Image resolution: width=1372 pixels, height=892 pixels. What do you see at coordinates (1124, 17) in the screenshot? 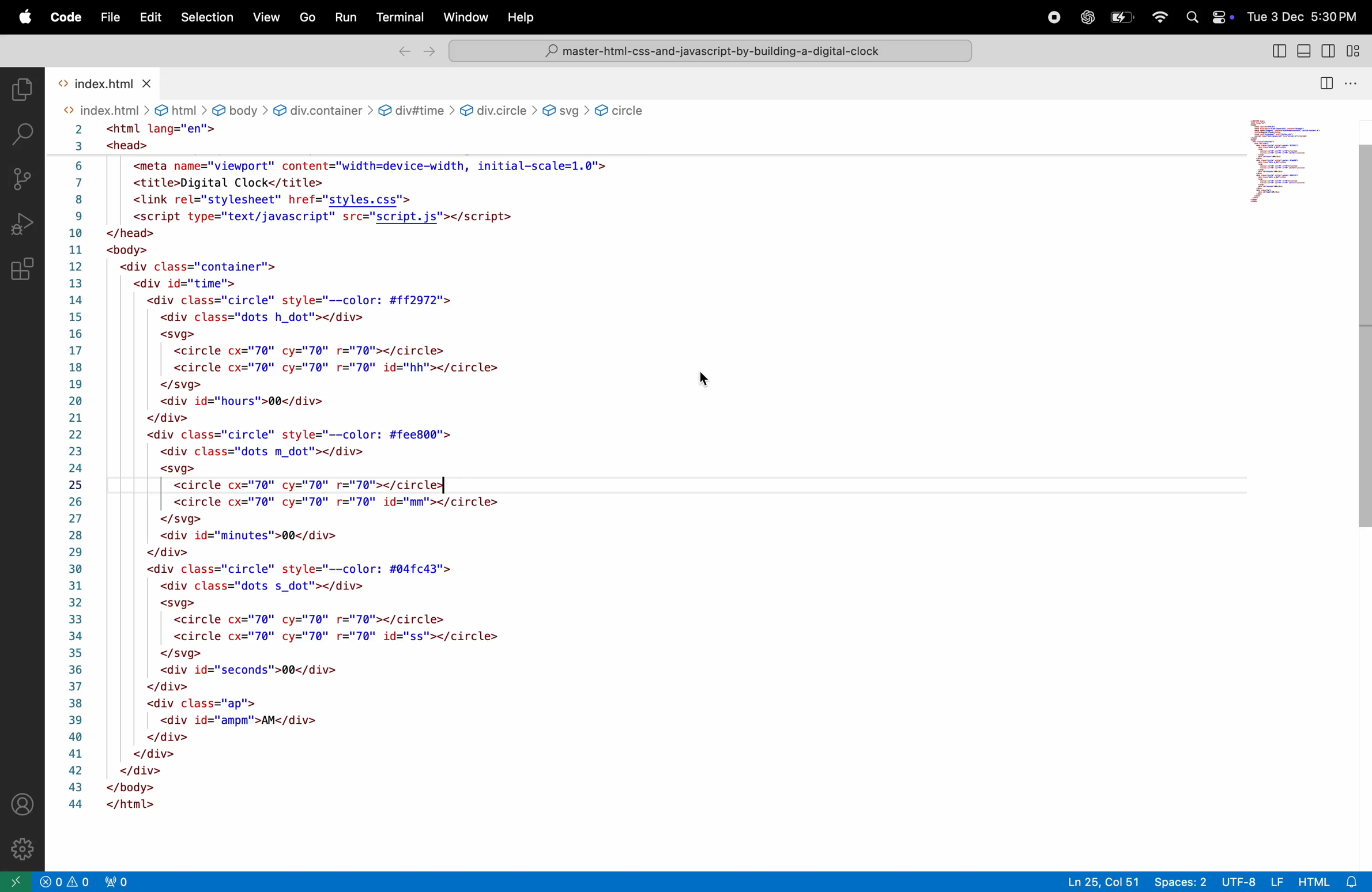
I see `battery` at bounding box center [1124, 17].